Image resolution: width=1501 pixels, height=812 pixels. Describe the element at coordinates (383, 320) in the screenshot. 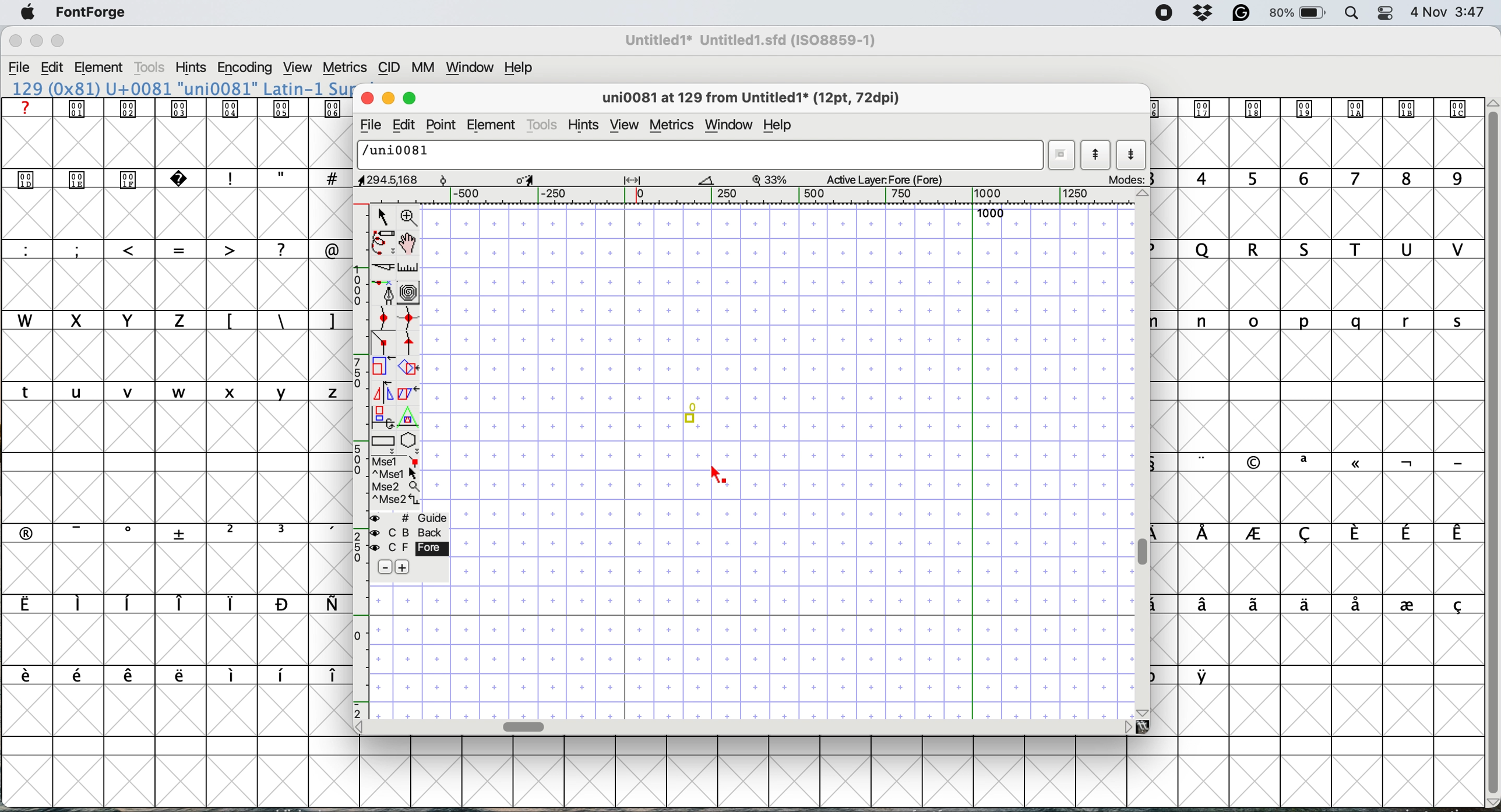

I see `add a curve pint` at that location.